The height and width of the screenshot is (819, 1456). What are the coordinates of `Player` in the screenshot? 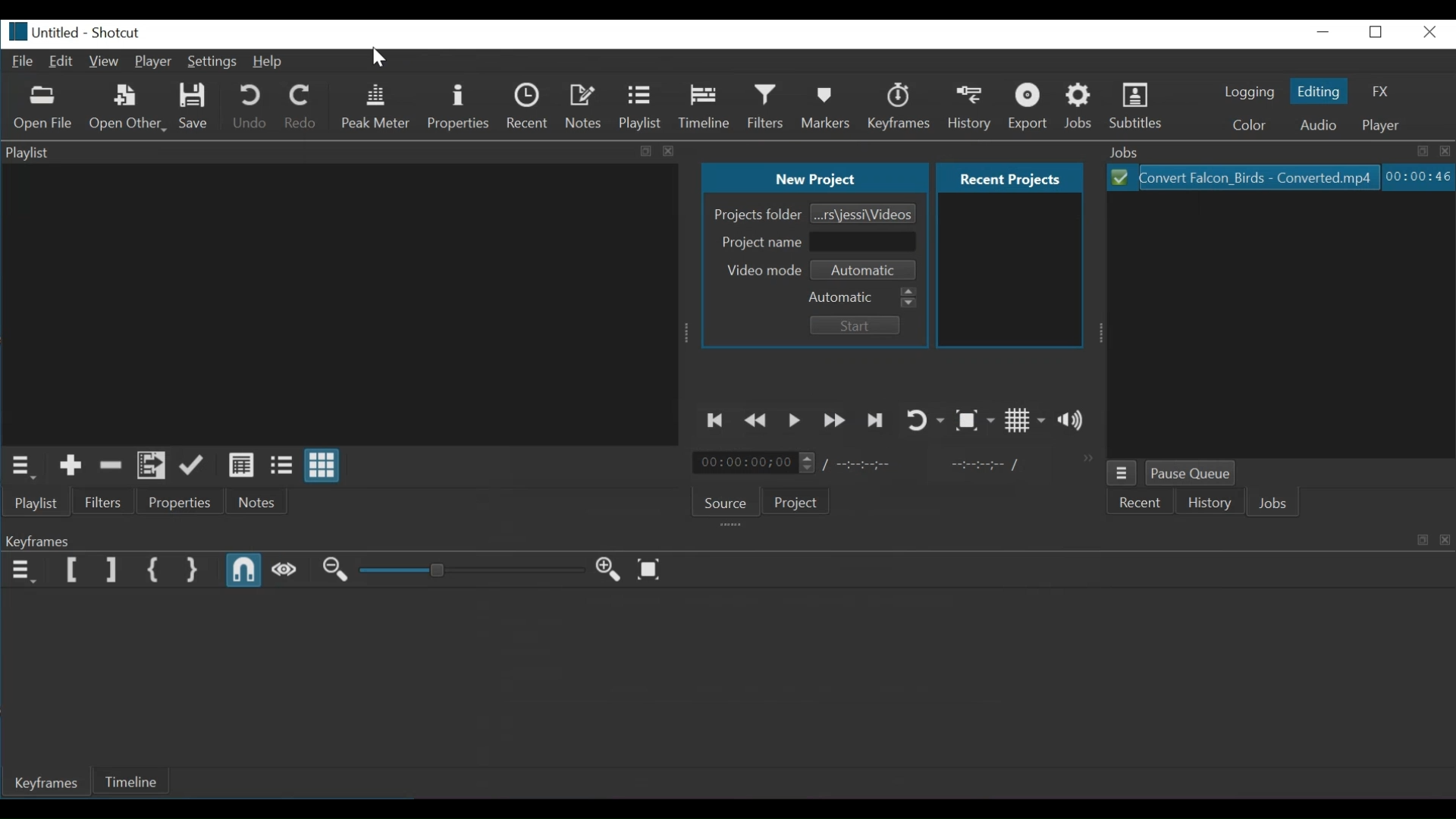 It's located at (154, 63).